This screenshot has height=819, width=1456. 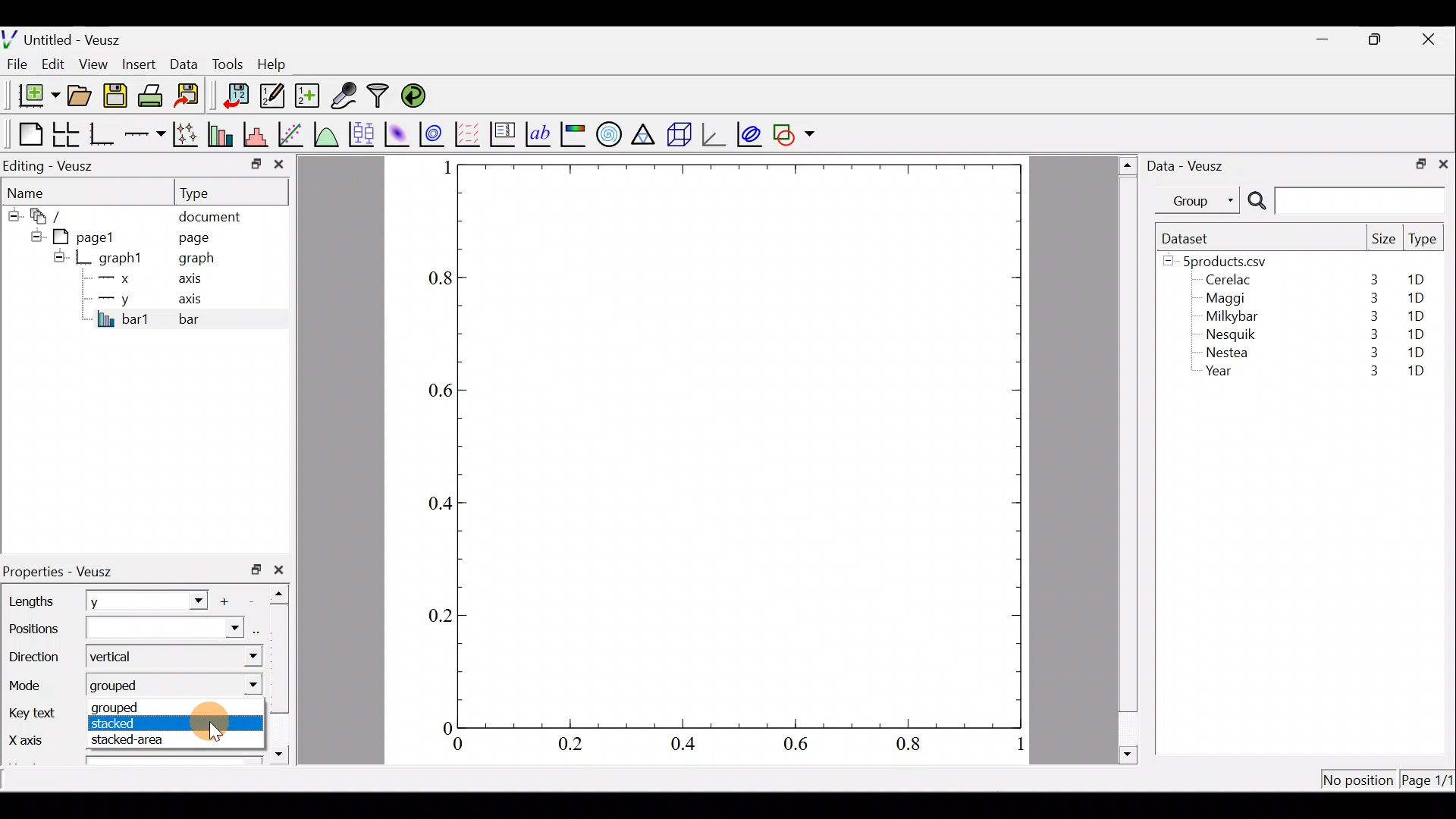 What do you see at coordinates (458, 746) in the screenshot?
I see `0` at bounding box center [458, 746].